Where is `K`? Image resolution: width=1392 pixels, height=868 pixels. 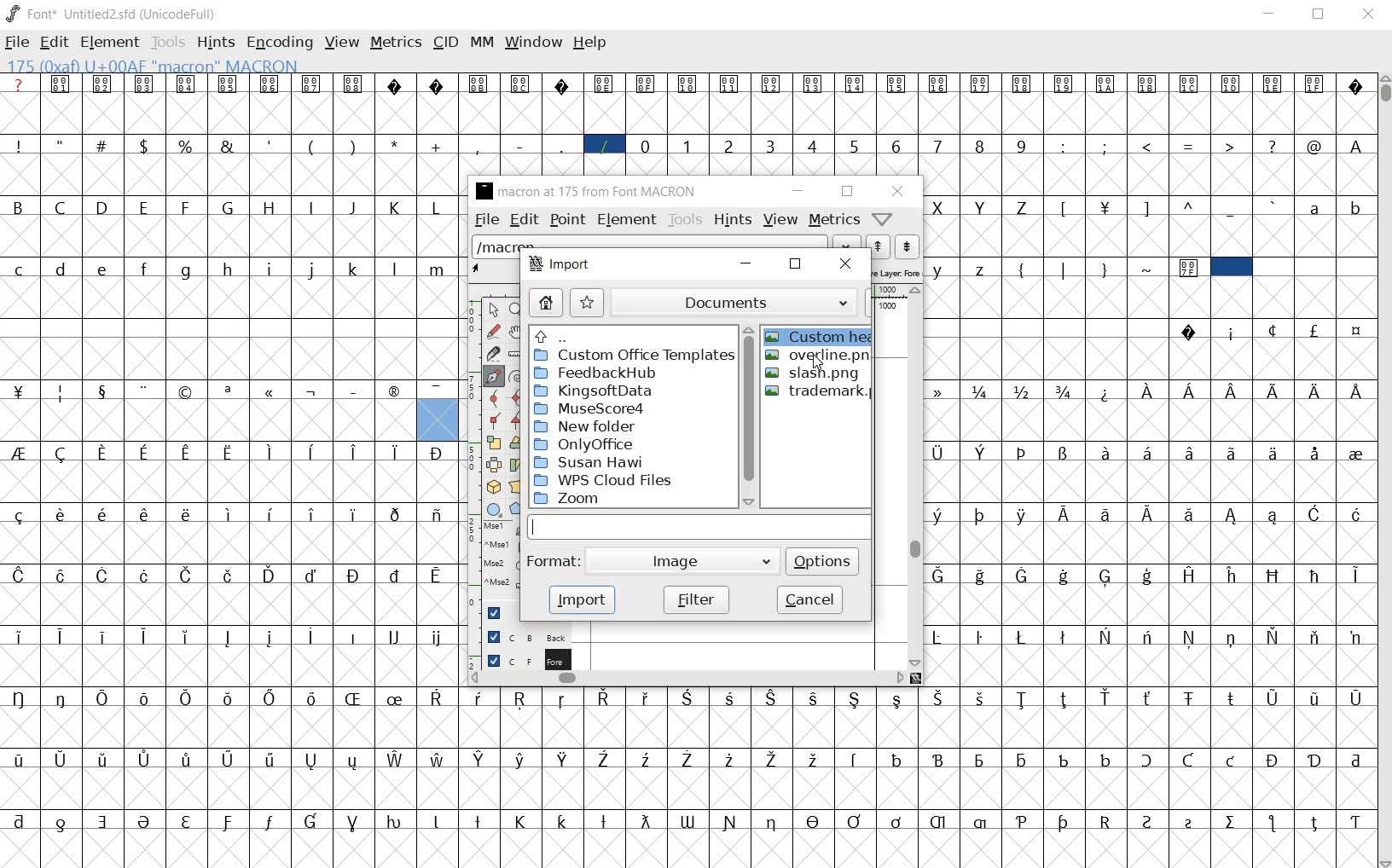
K is located at coordinates (397, 206).